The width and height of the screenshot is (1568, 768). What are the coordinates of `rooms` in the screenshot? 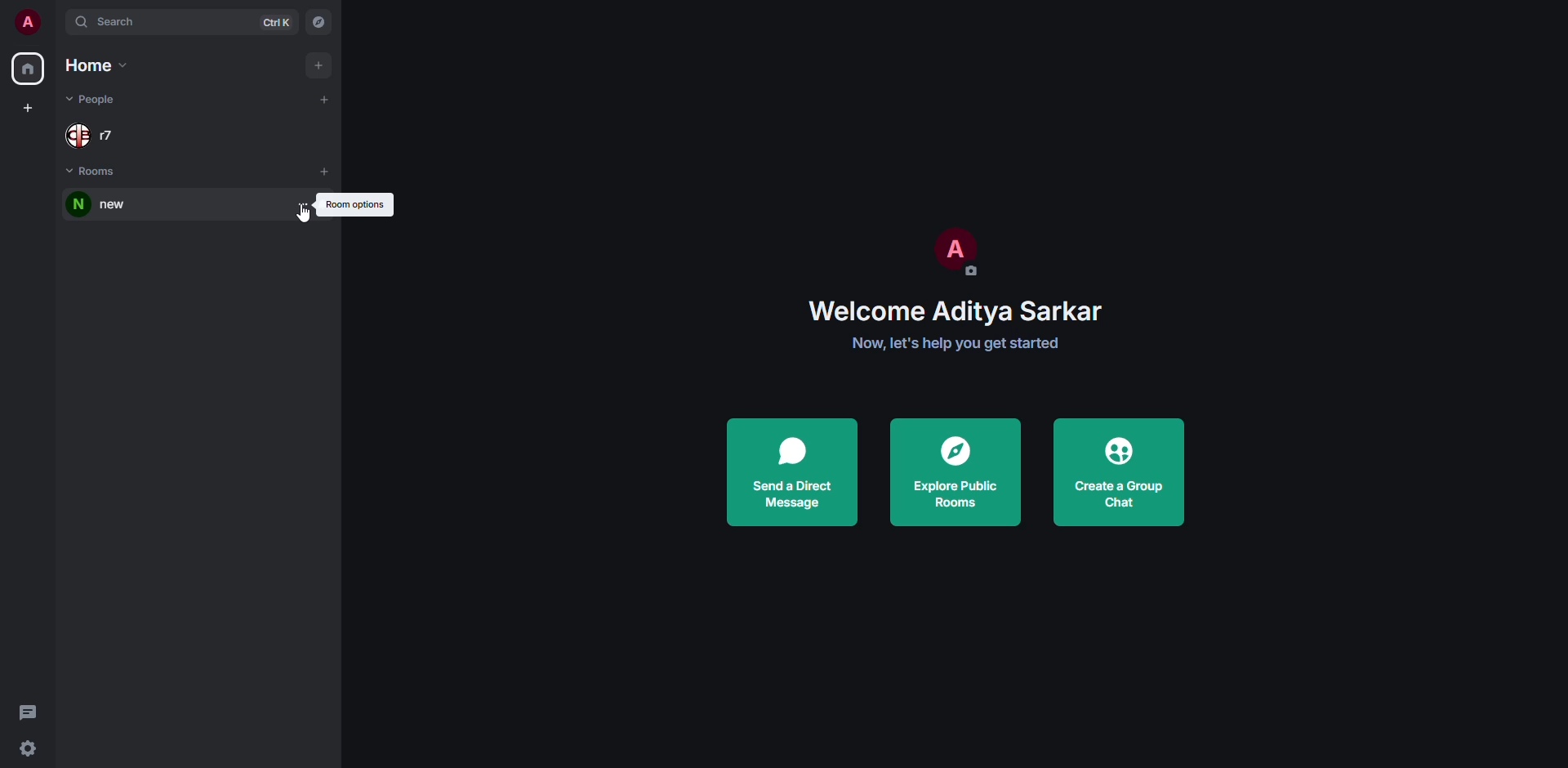 It's located at (95, 172).